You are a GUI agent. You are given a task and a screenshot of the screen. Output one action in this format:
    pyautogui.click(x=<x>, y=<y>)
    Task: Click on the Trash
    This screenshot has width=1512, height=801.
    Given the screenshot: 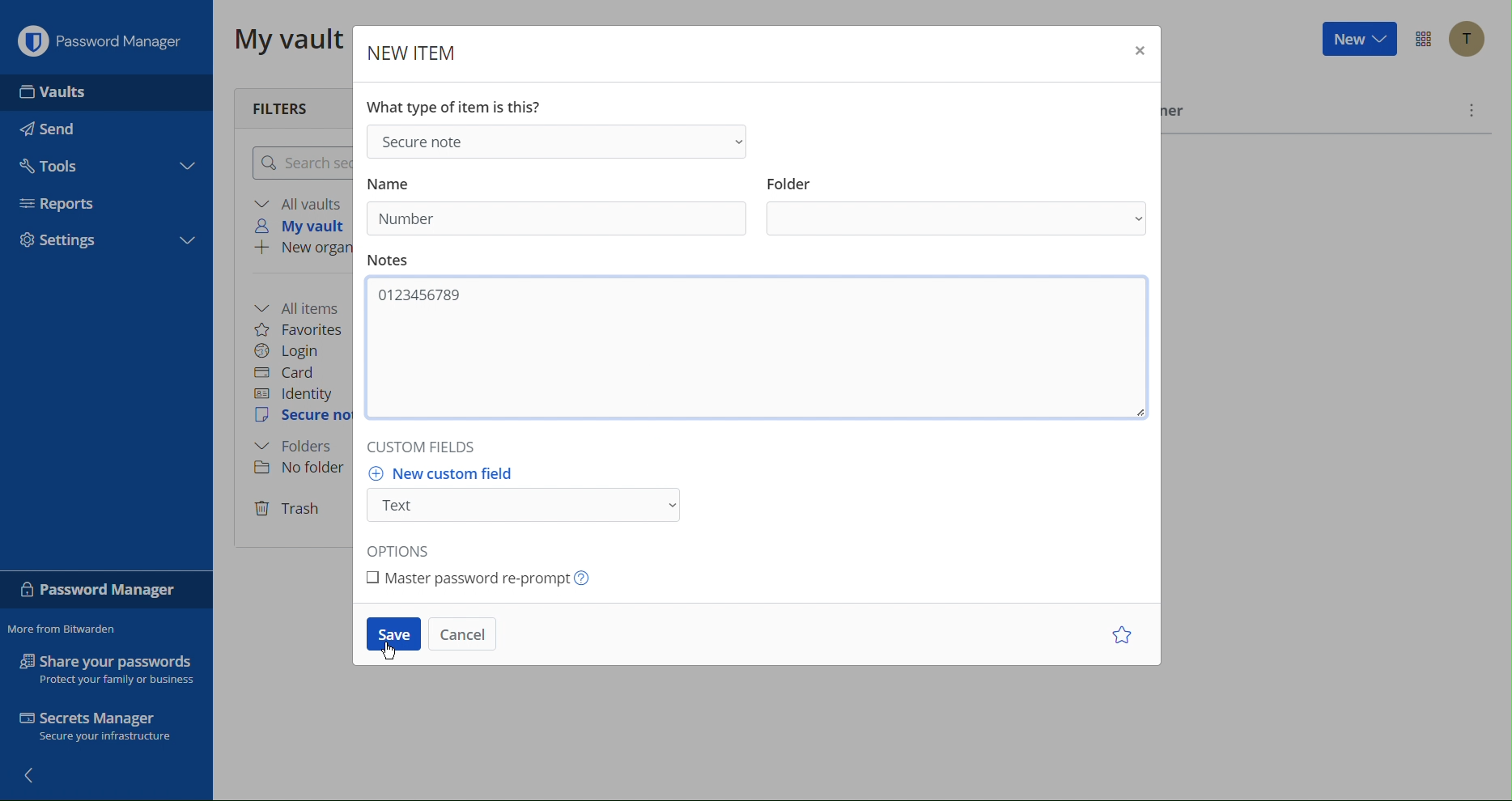 What is the action you would take?
    pyautogui.click(x=291, y=507)
    